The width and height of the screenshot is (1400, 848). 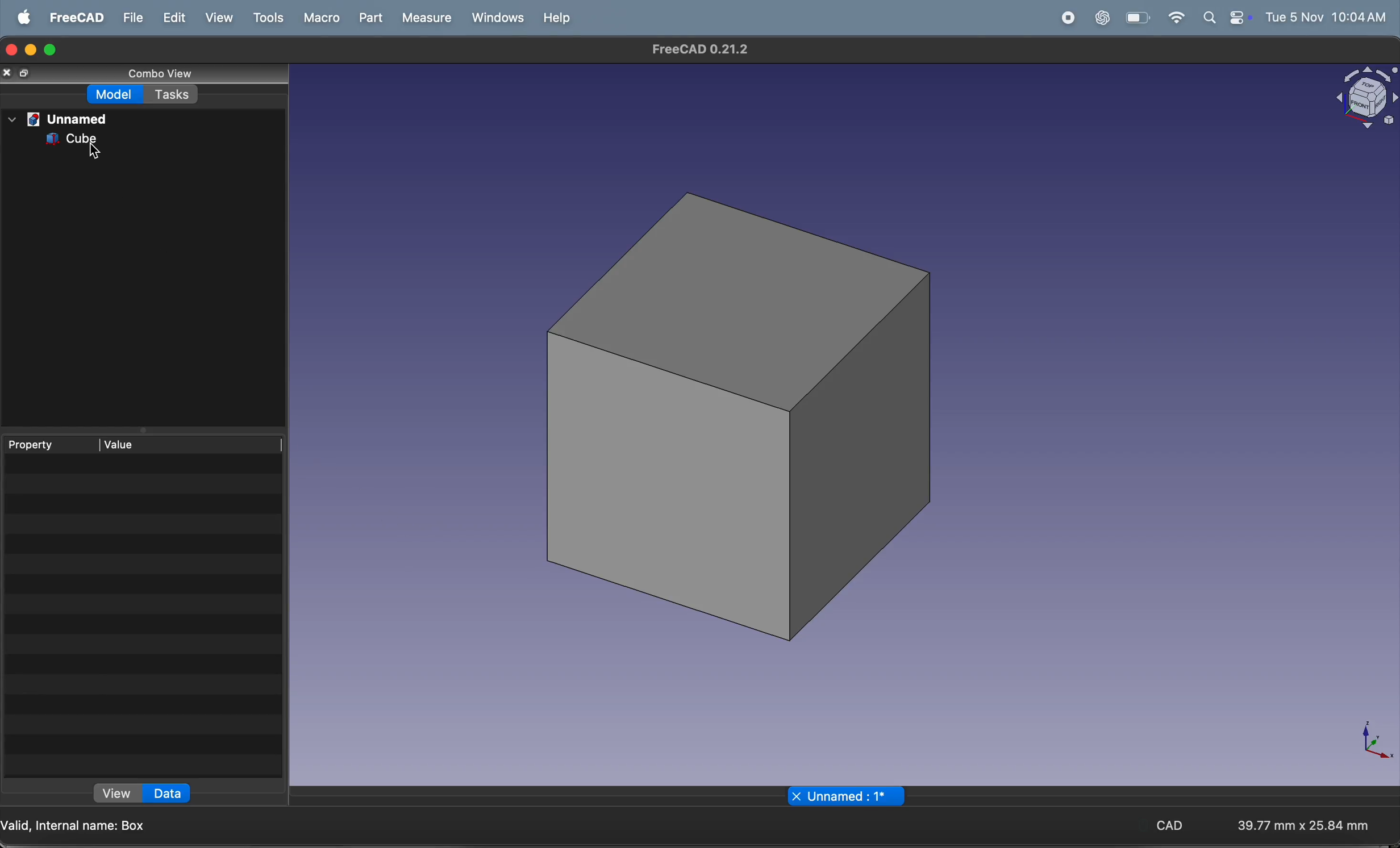 I want to click on record, so click(x=1064, y=16).